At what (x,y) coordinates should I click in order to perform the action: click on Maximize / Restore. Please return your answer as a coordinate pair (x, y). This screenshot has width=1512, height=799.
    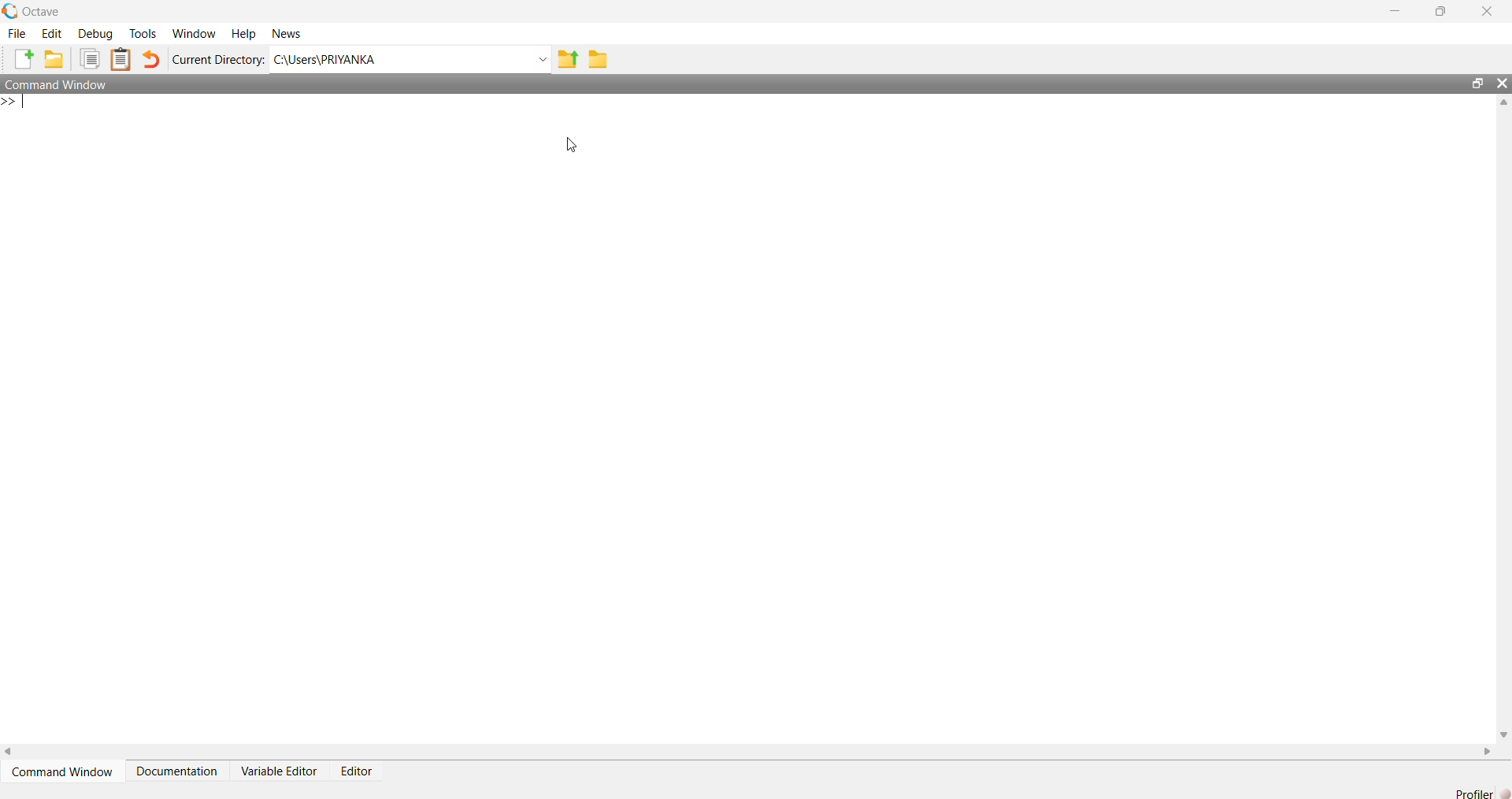
    Looking at the image, I should click on (1480, 84).